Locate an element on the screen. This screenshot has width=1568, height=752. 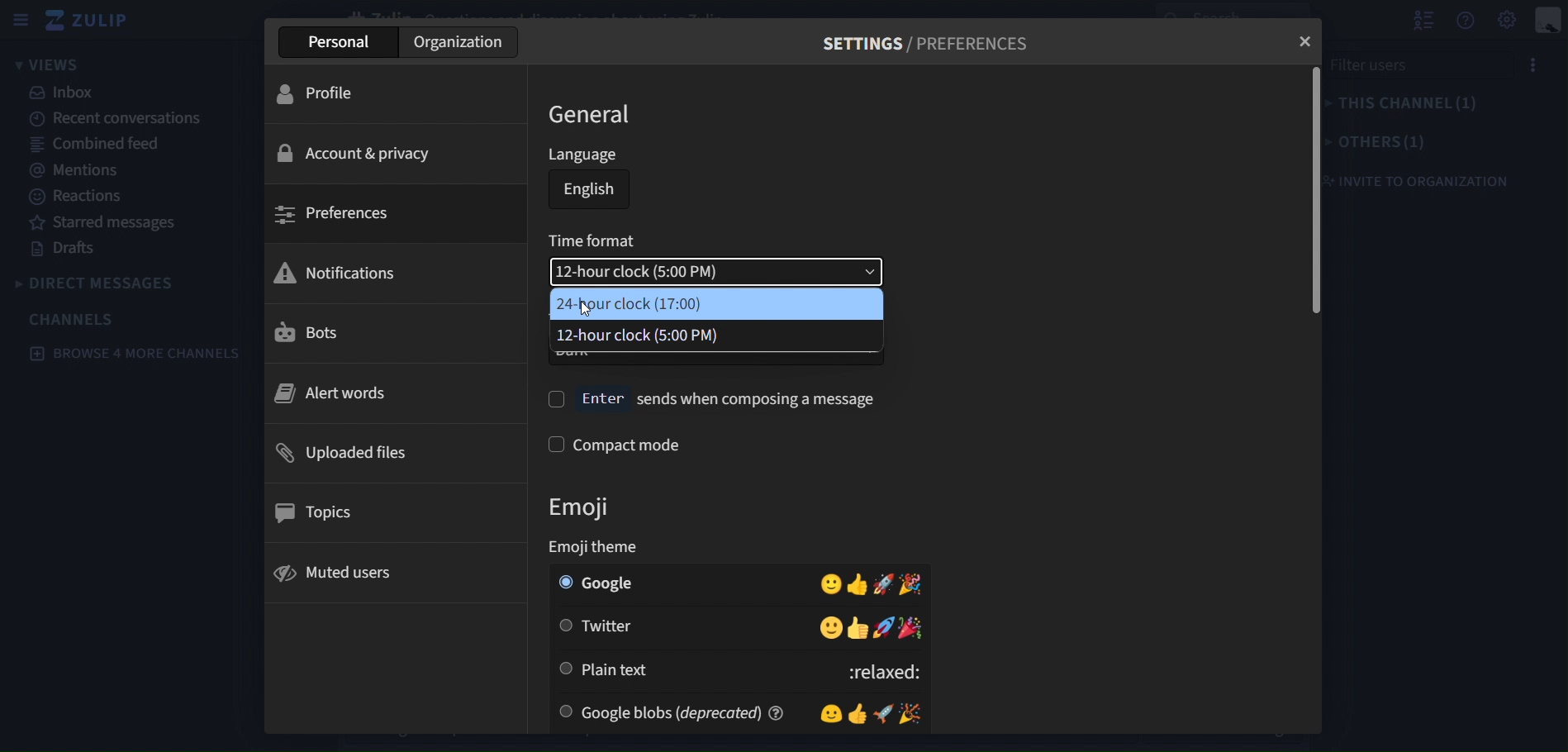
account & privacy is located at coordinates (391, 153).